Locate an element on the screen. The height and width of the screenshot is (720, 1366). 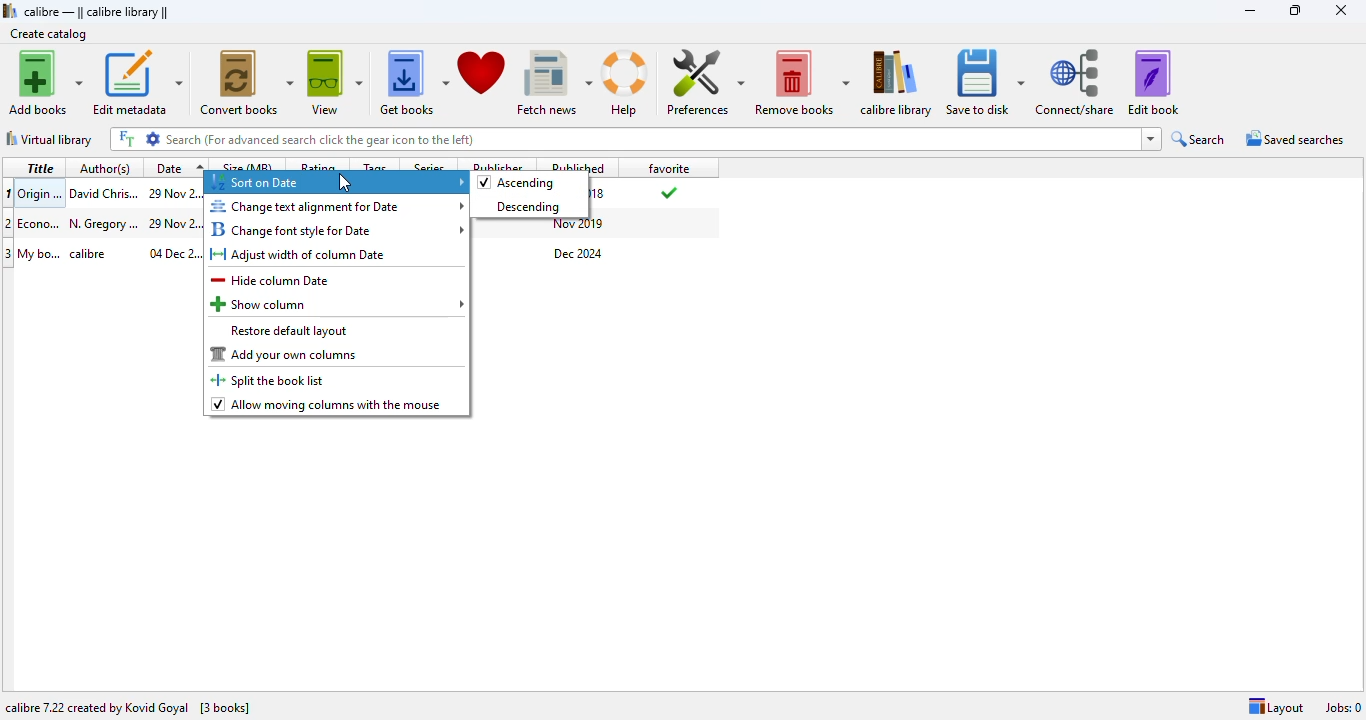
convert books is located at coordinates (247, 83).